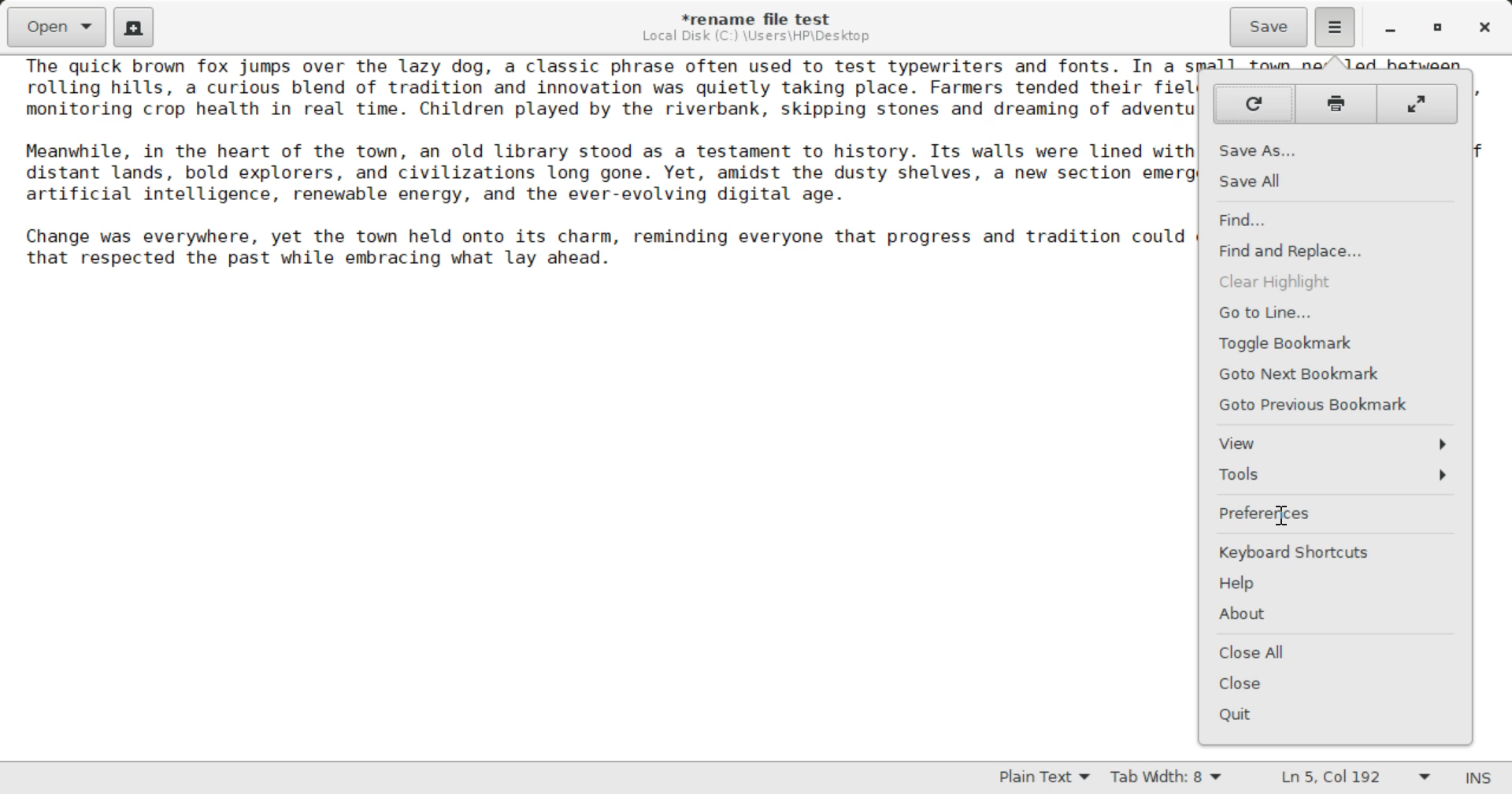 This screenshot has width=1512, height=794. Describe the element at coordinates (1169, 779) in the screenshot. I see `Tab Width ` at that location.